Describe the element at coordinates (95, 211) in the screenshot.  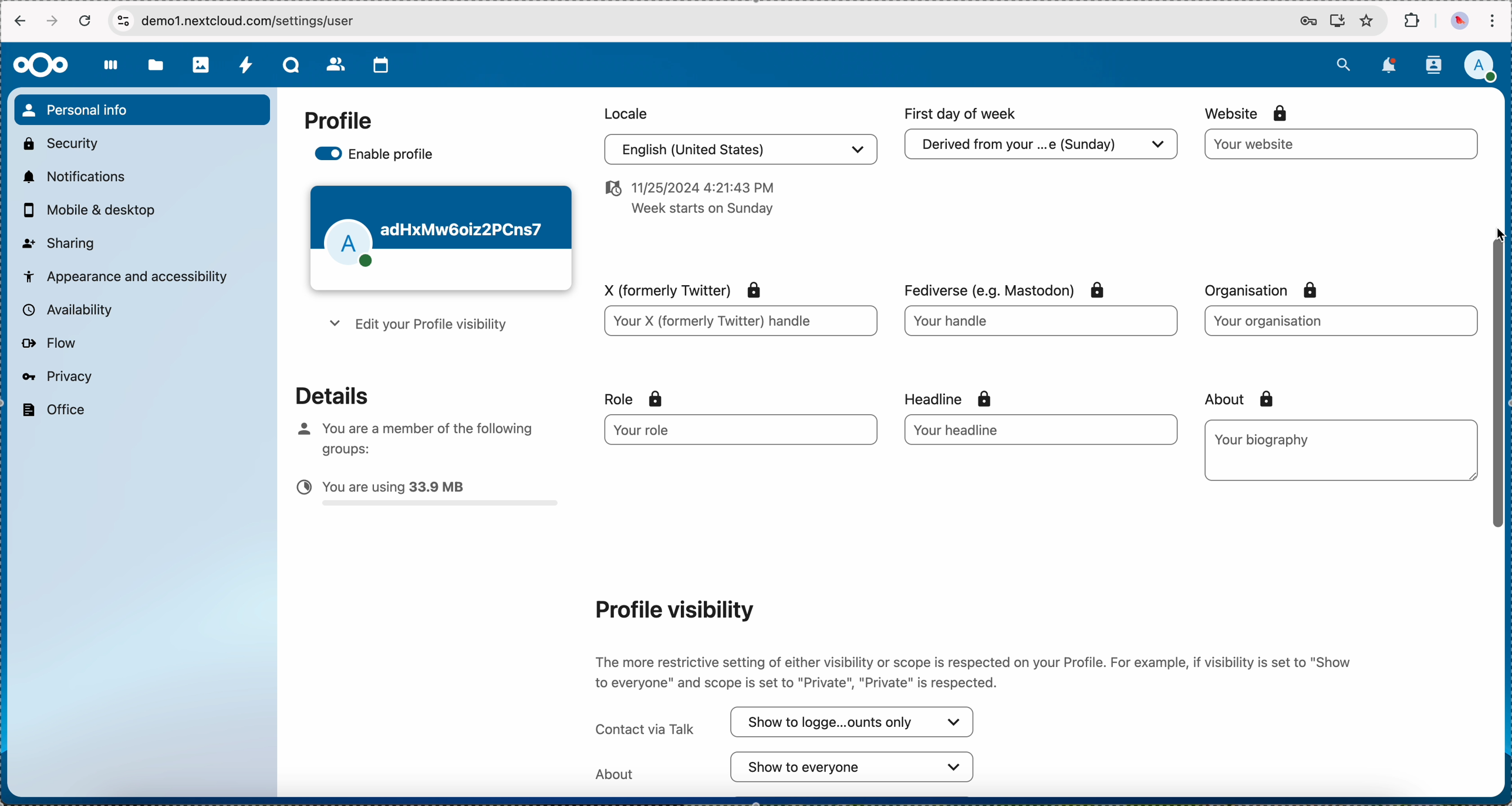
I see `mobile and desktop` at that location.